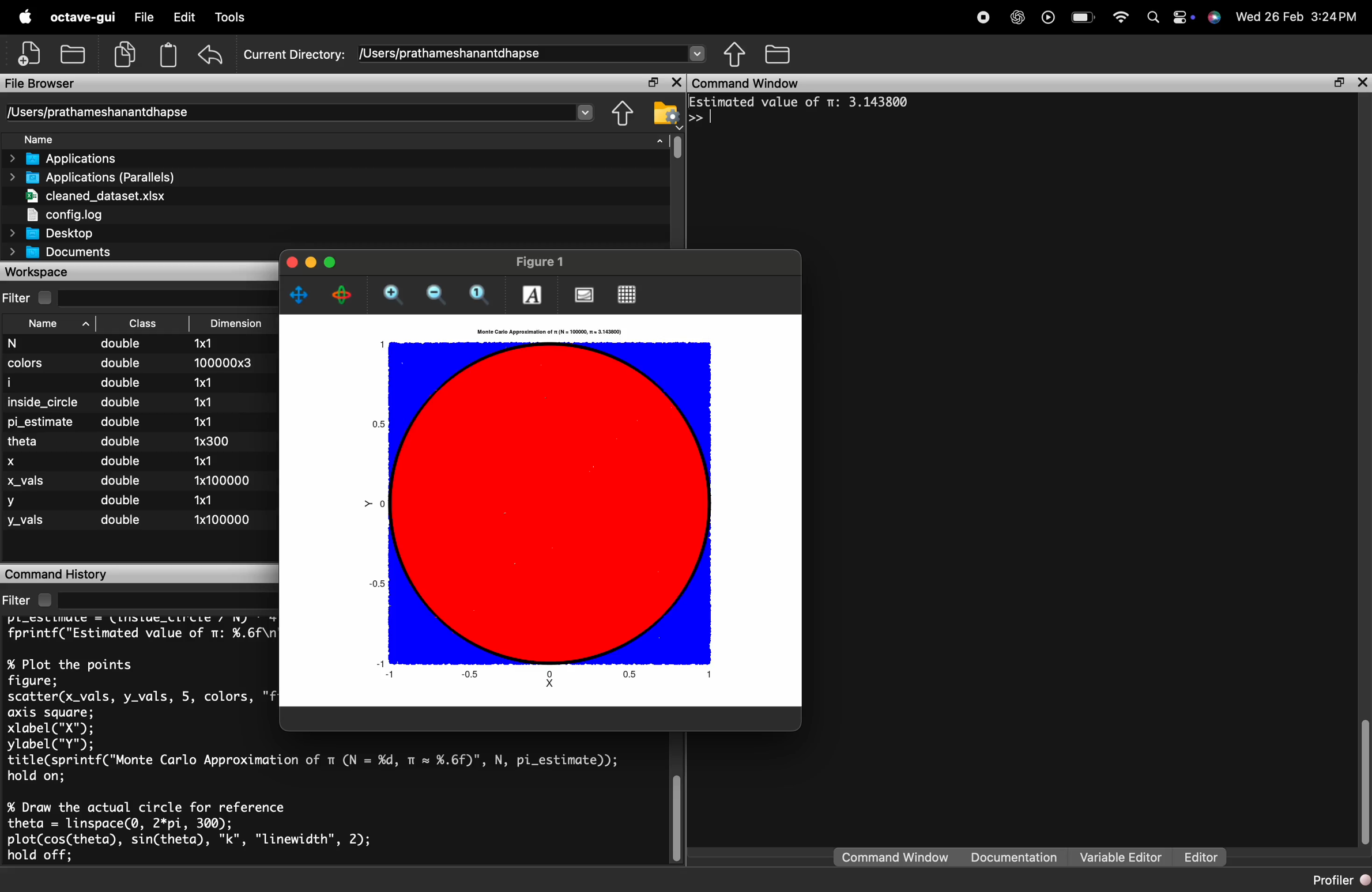  I want to click on double, so click(126, 441).